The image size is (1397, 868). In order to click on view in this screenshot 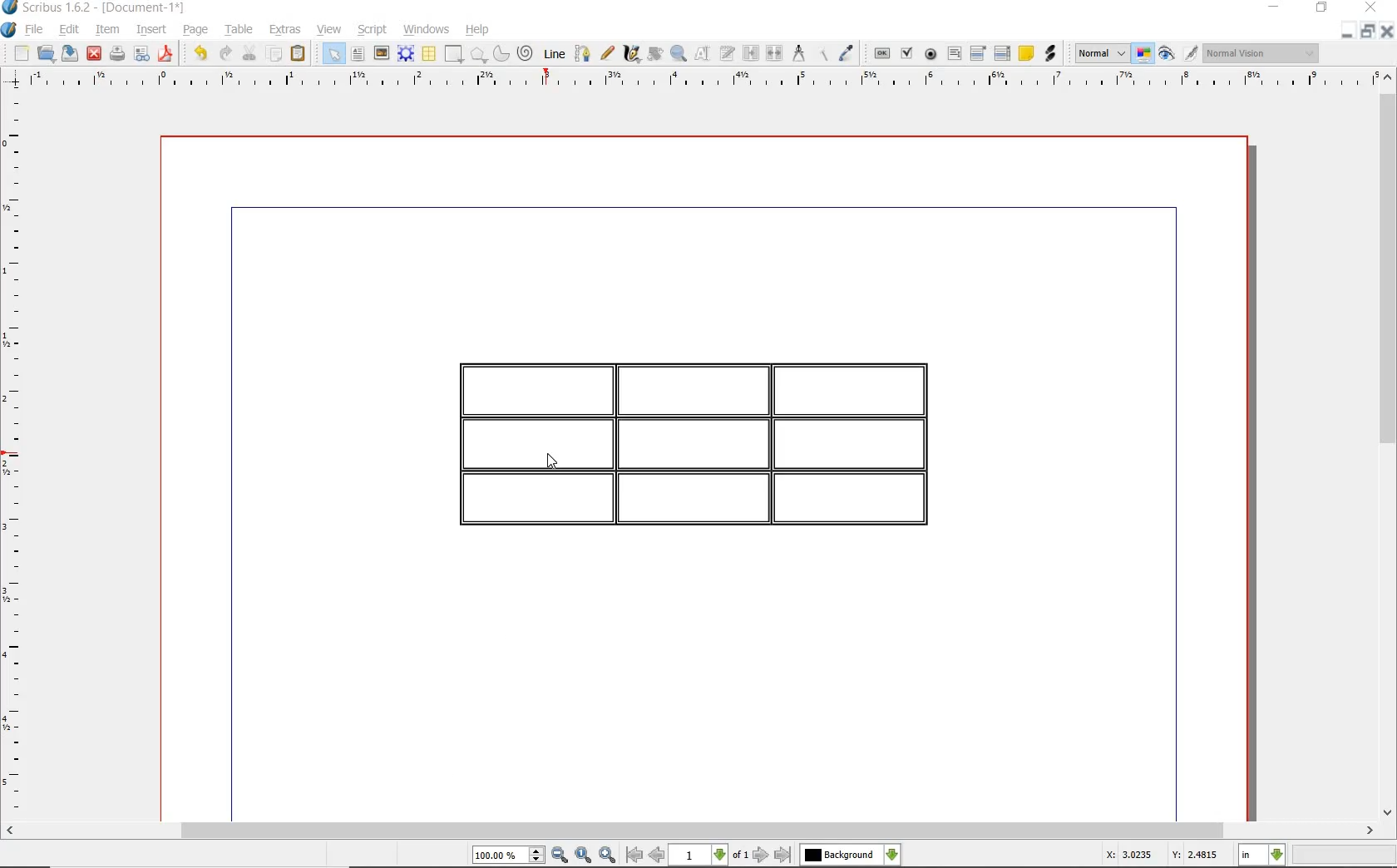, I will do `click(329, 29)`.